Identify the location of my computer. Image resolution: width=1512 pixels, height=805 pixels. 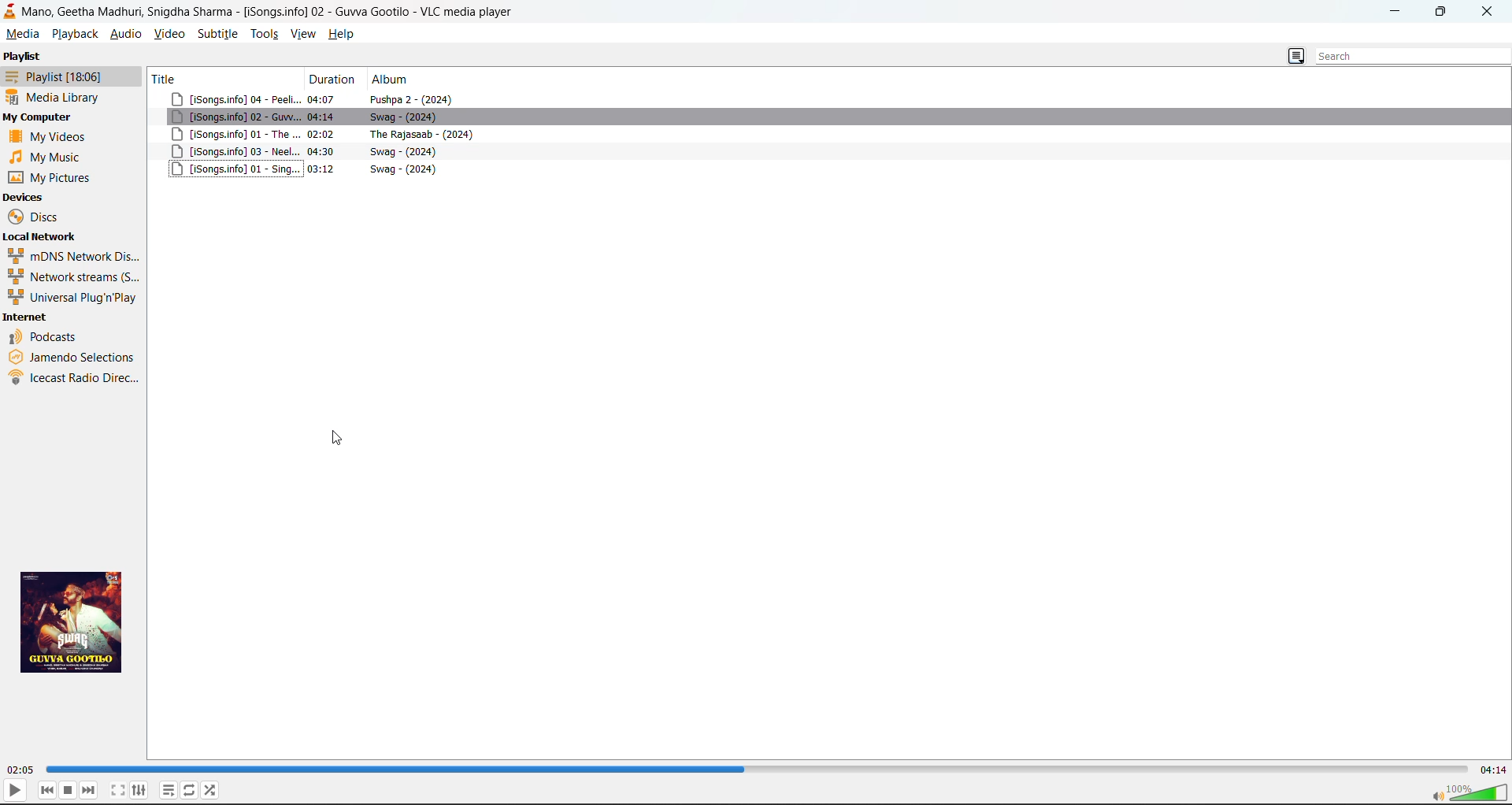
(39, 117).